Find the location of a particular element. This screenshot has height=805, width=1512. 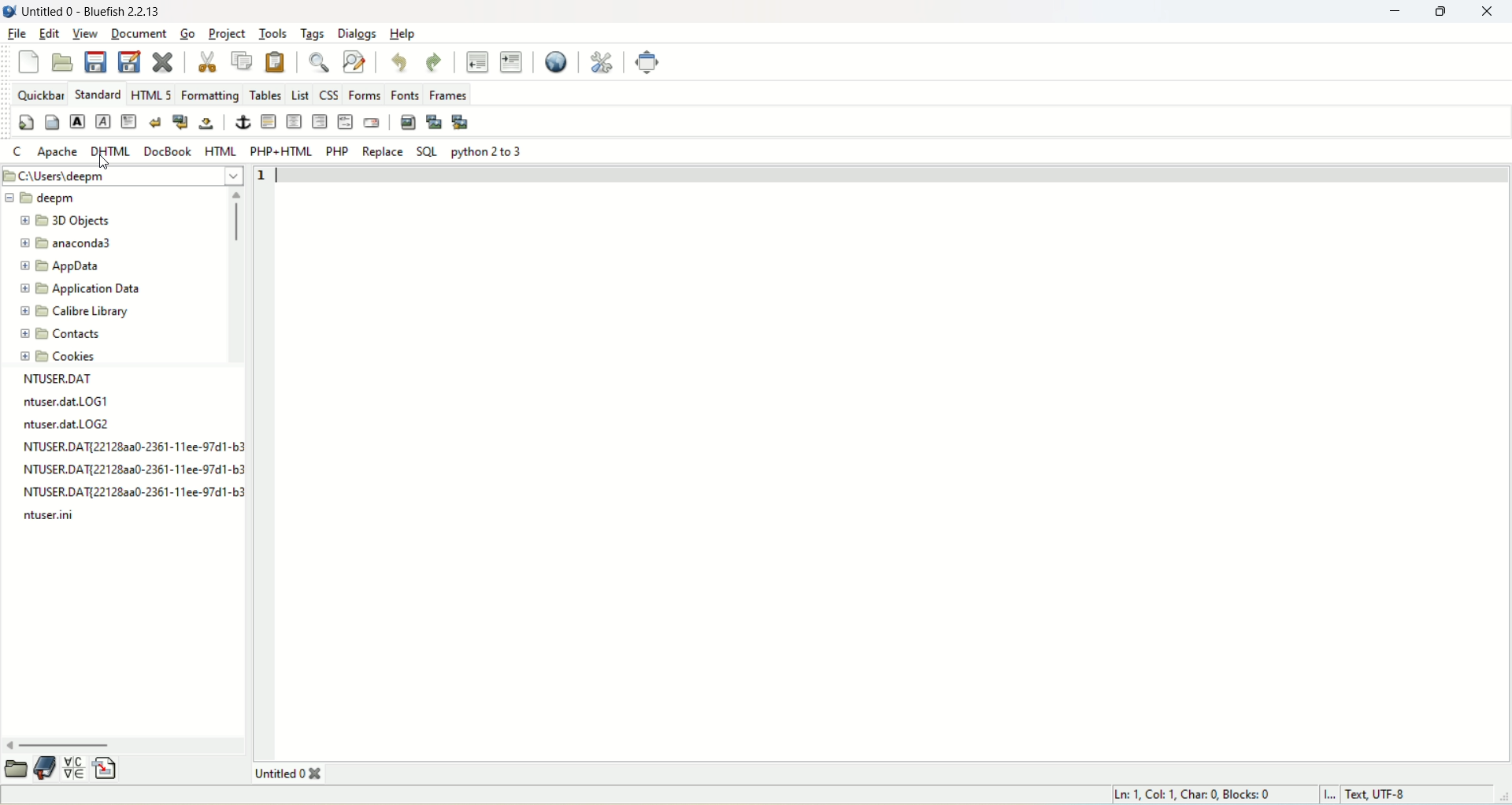

documentation is located at coordinates (46, 770).